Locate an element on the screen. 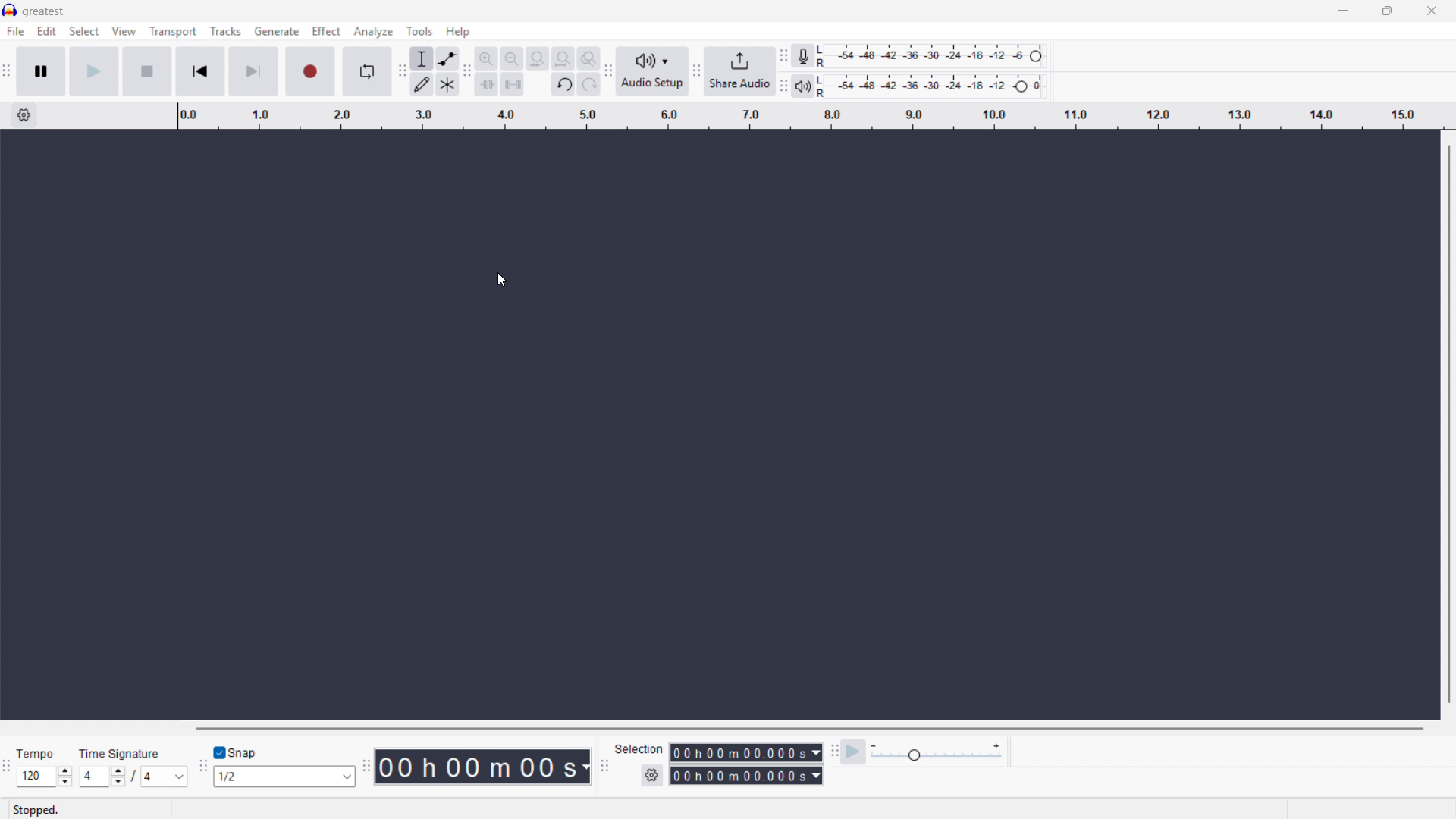 This screenshot has height=819, width=1456. Zoom in  is located at coordinates (488, 58).